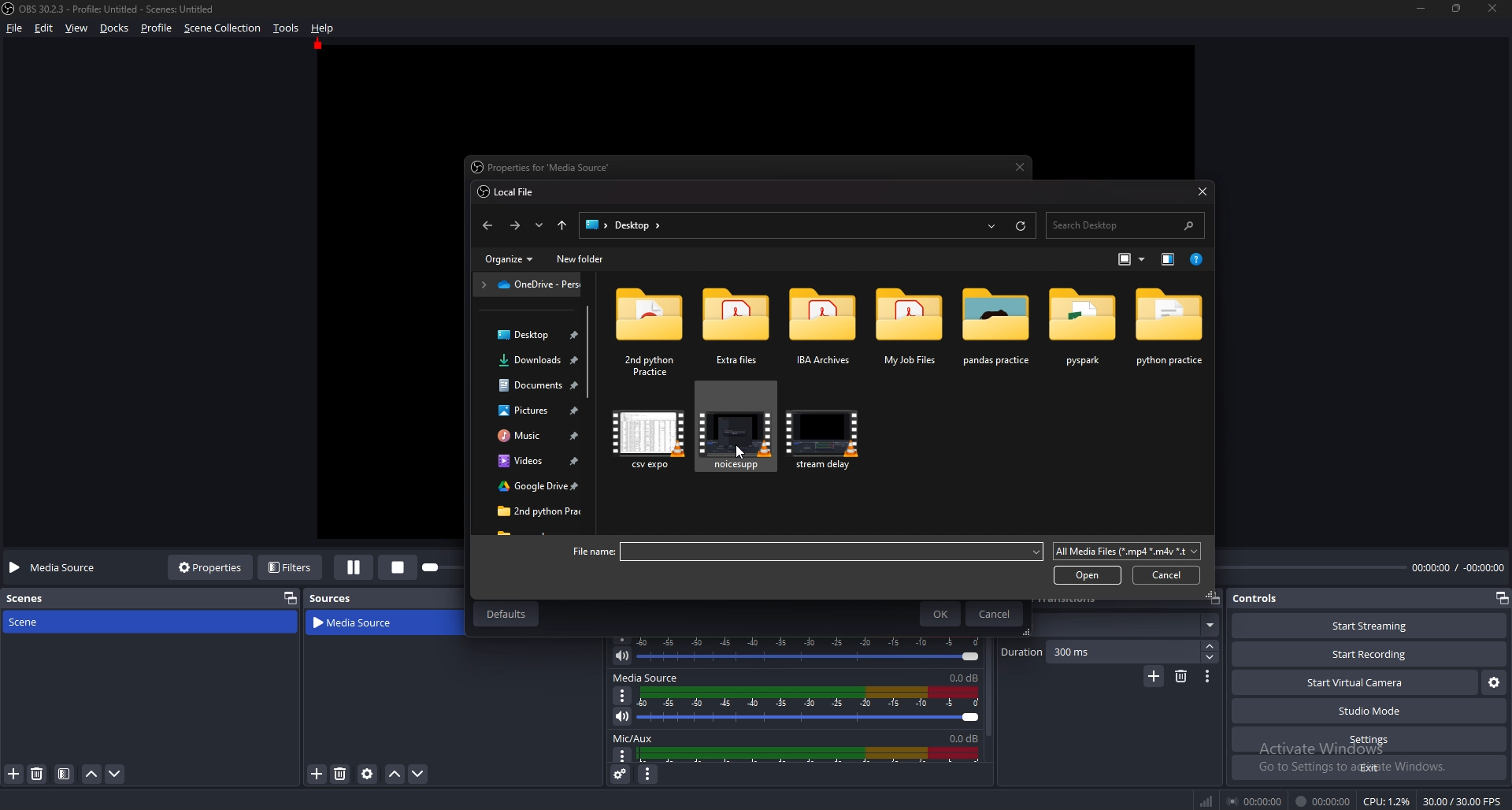  I want to click on Sources, so click(331, 598).